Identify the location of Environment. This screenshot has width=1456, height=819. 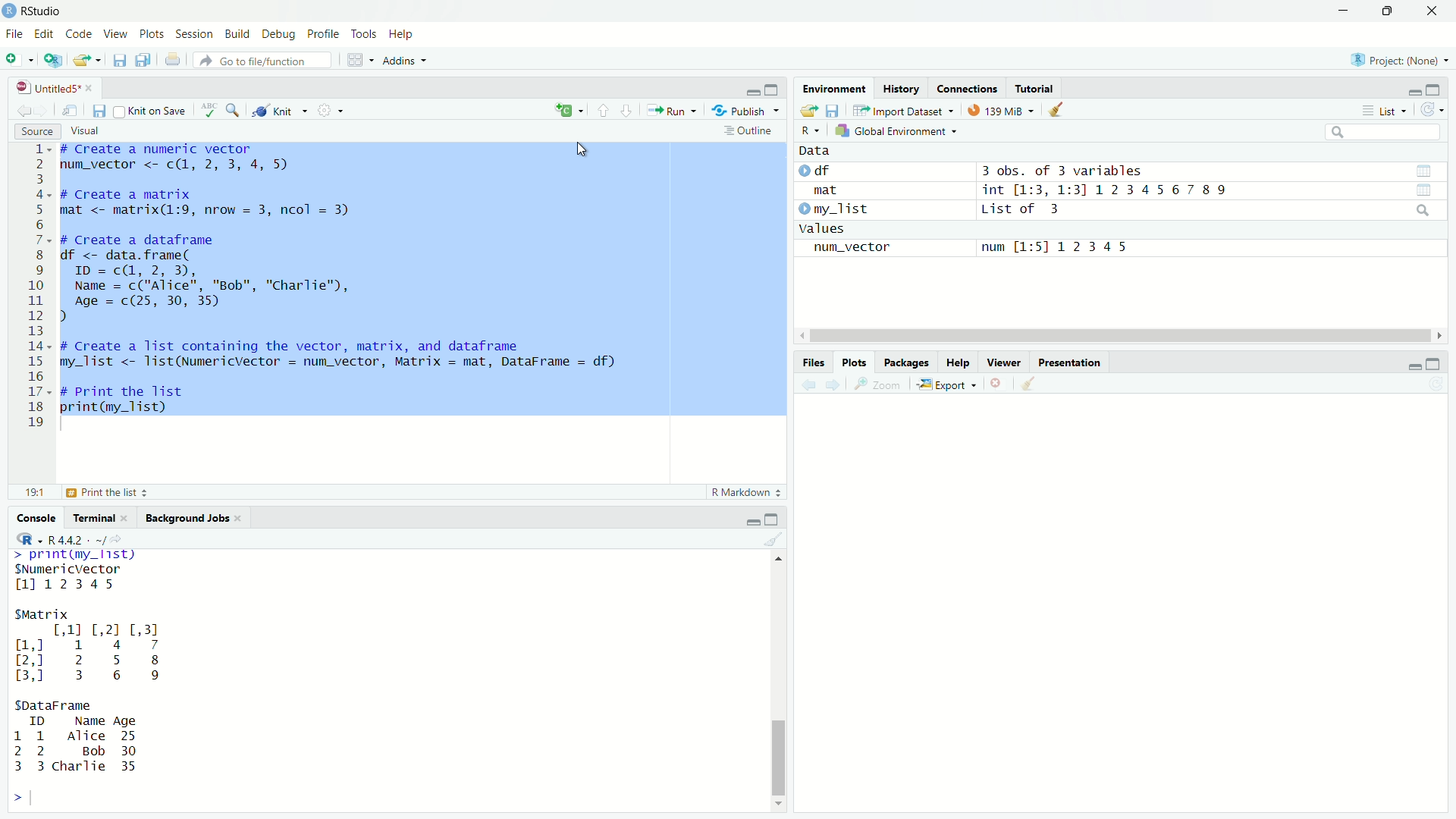
(835, 88).